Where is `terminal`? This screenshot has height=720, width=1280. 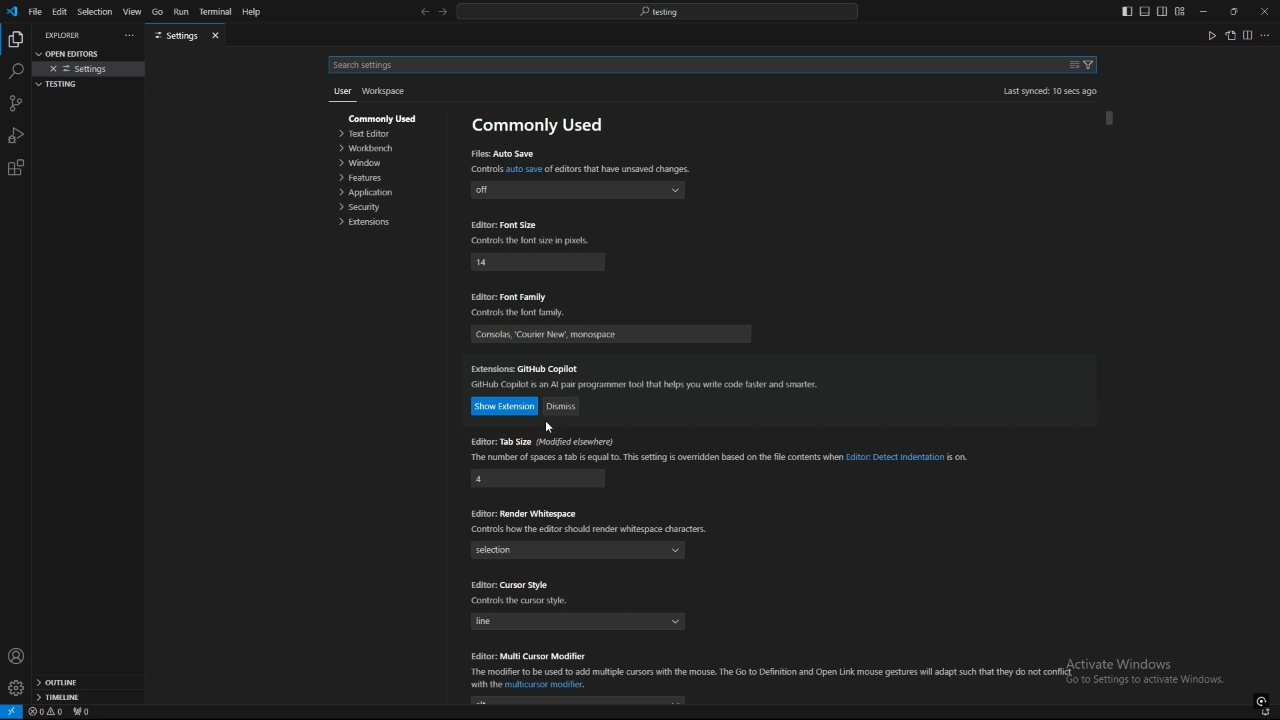 terminal is located at coordinates (216, 13).